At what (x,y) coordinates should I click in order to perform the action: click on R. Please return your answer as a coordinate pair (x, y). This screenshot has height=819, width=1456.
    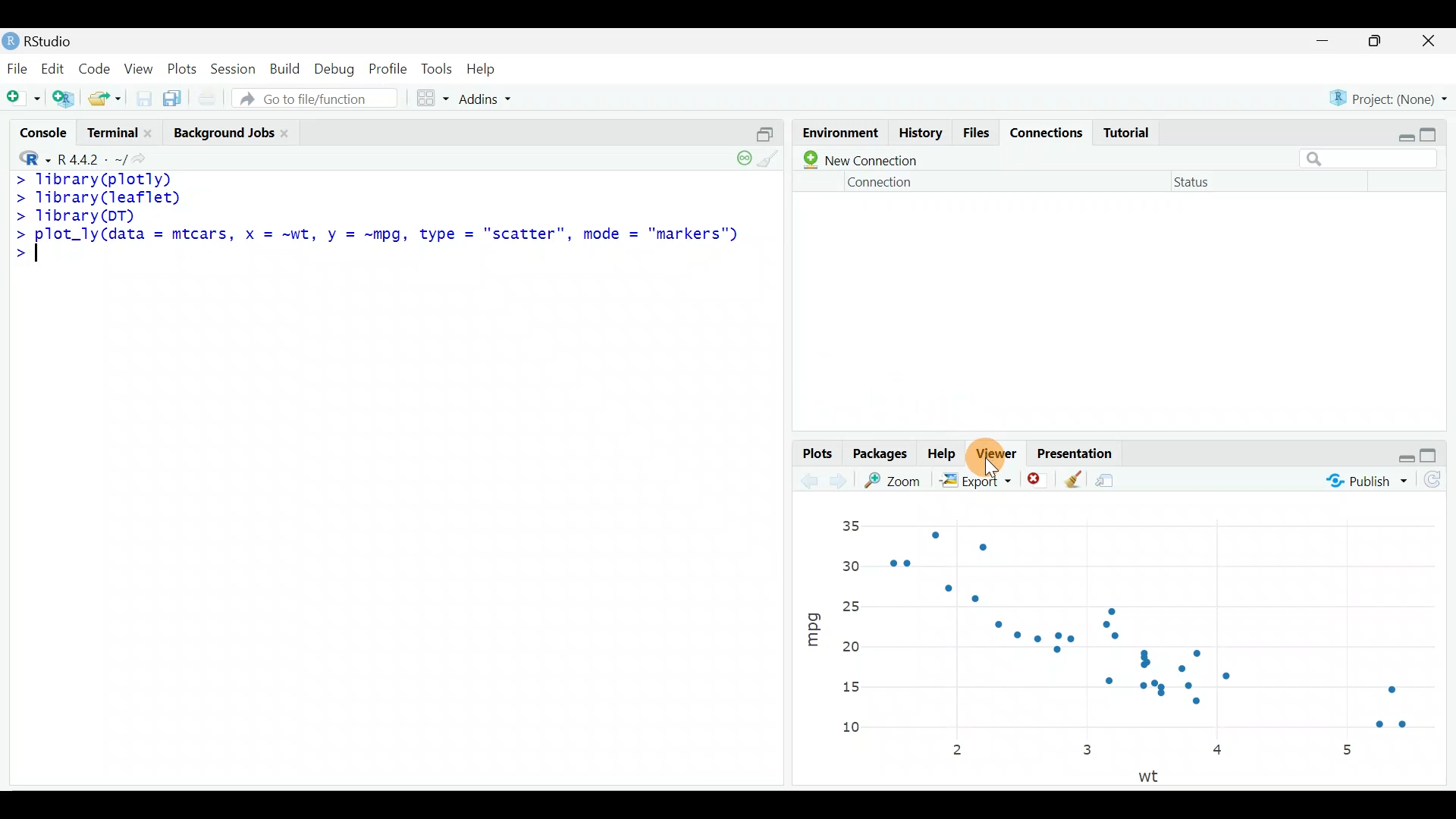
    Looking at the image, I should click on (32, 157).